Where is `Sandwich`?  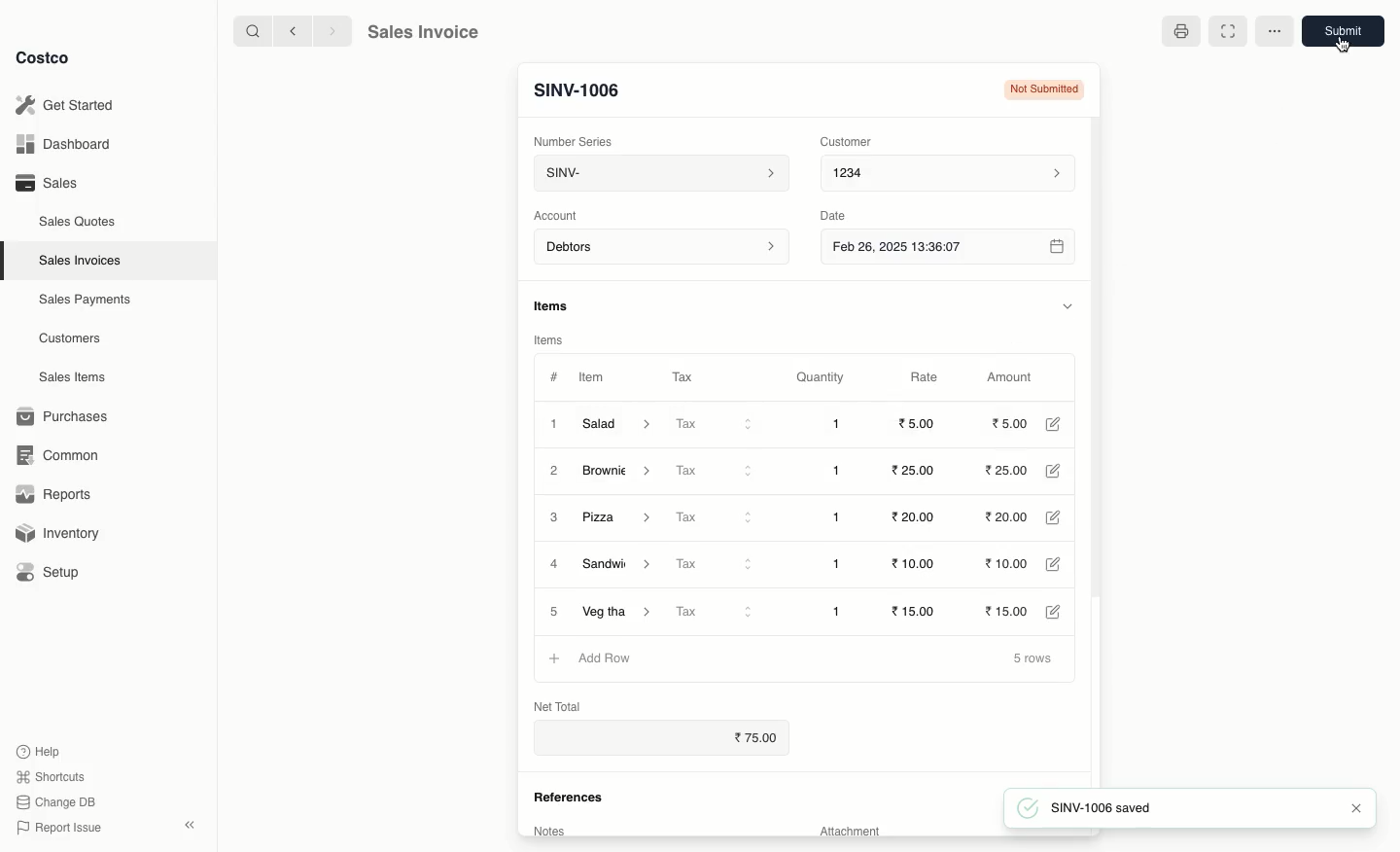
Sandwich is located at coordinates (614, 563).